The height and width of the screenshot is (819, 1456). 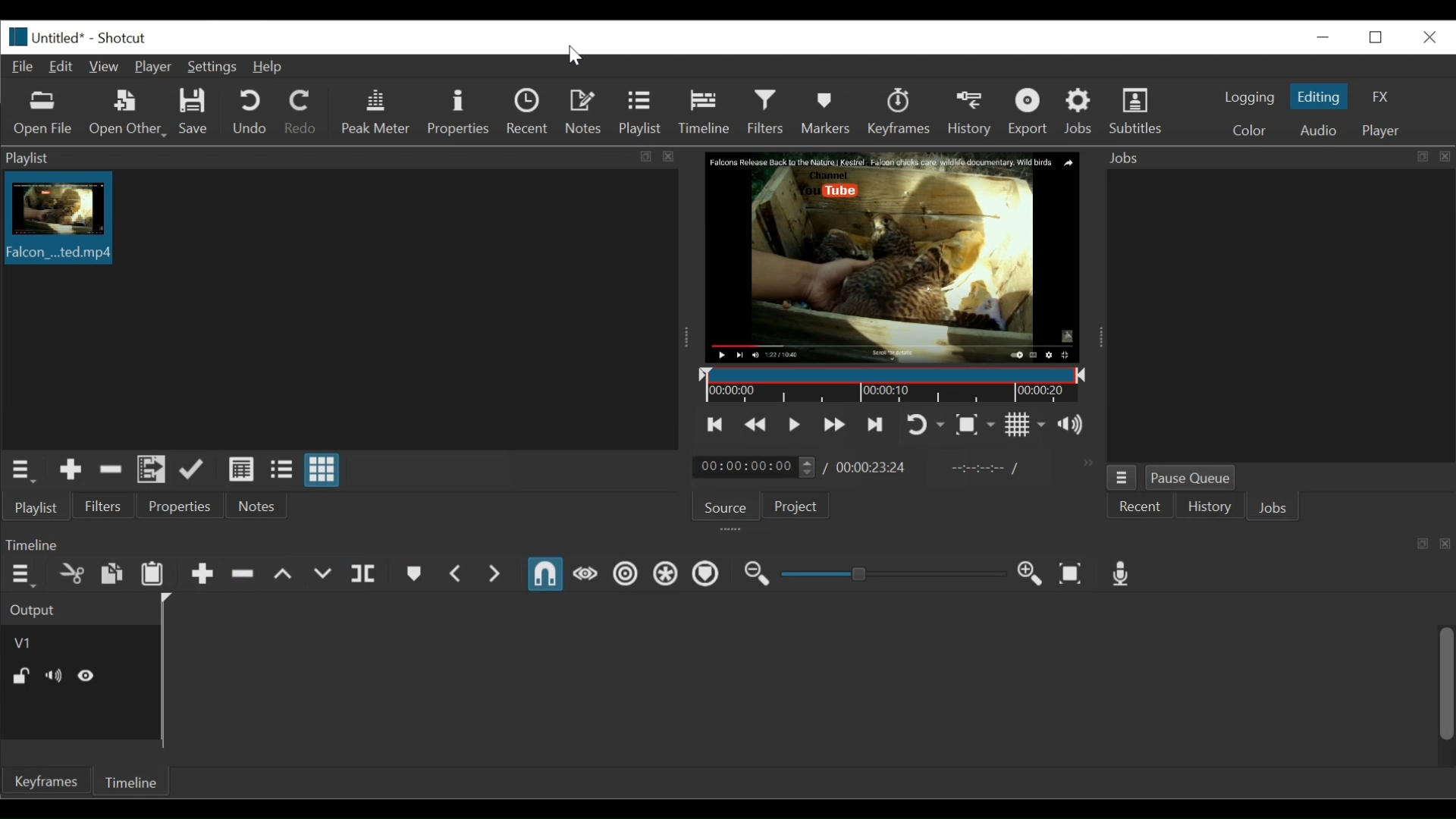 What do you see at coordinates (1279, 316) in the screenshot?
I see `Jobs panel` at bounding box center [1279, 316].